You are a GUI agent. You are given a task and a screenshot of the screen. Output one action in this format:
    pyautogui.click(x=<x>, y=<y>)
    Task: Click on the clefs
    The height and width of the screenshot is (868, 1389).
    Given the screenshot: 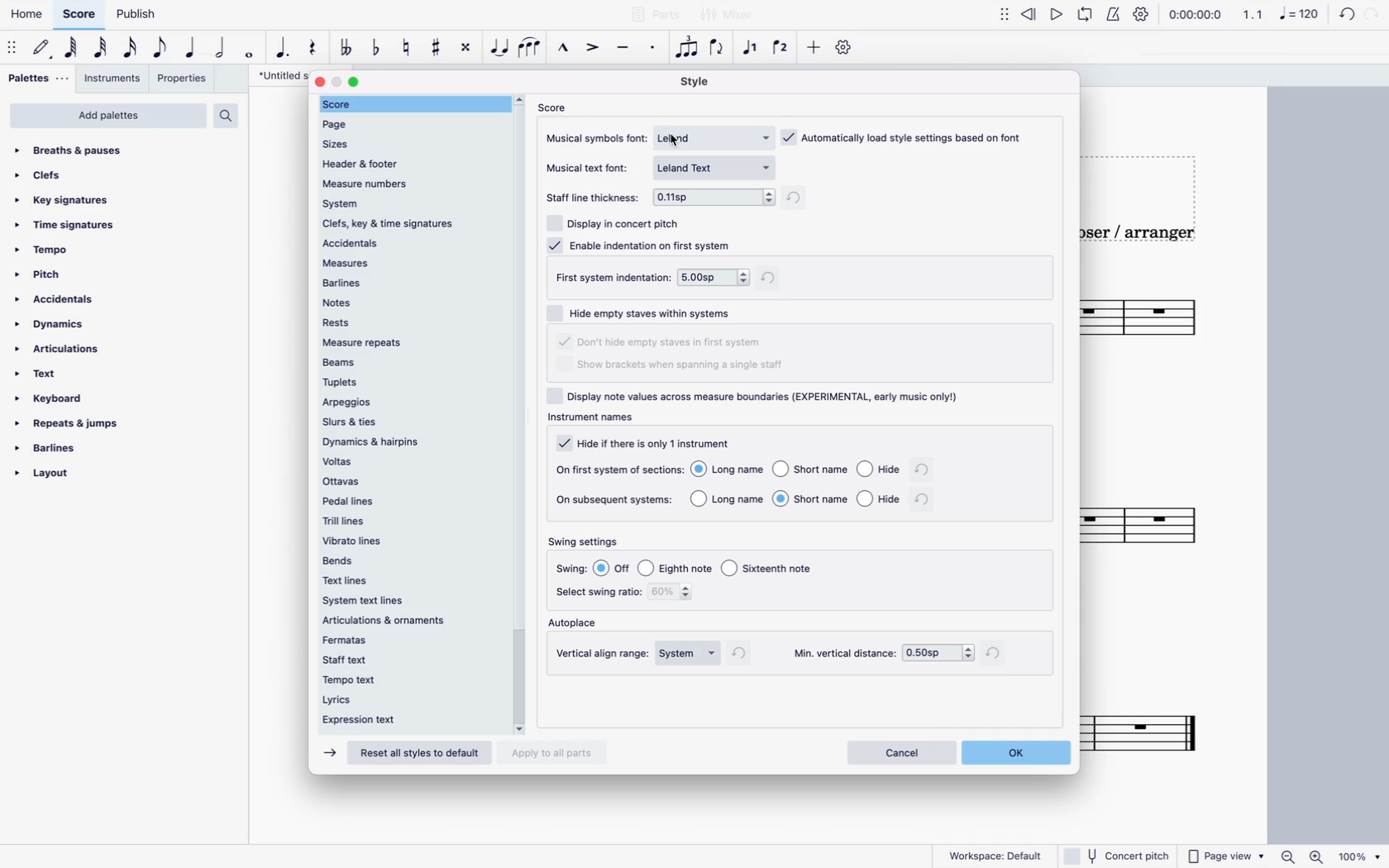 What is the action you would take?
    pyautogui.click(x=55, y=176)
    